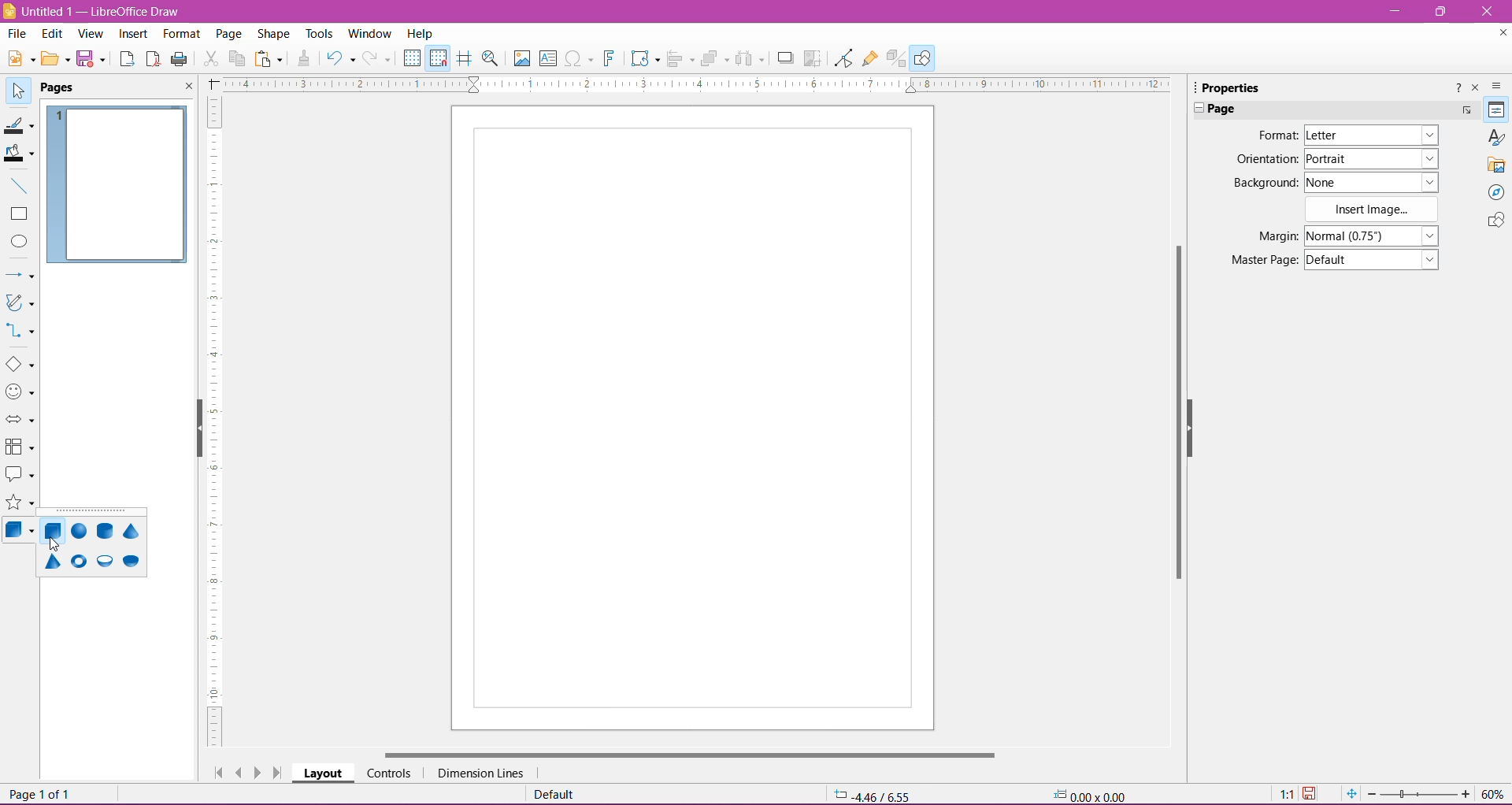  Describe the element at coordinates (19, 154) in the screenshot. I see `Fill Color` at that location.